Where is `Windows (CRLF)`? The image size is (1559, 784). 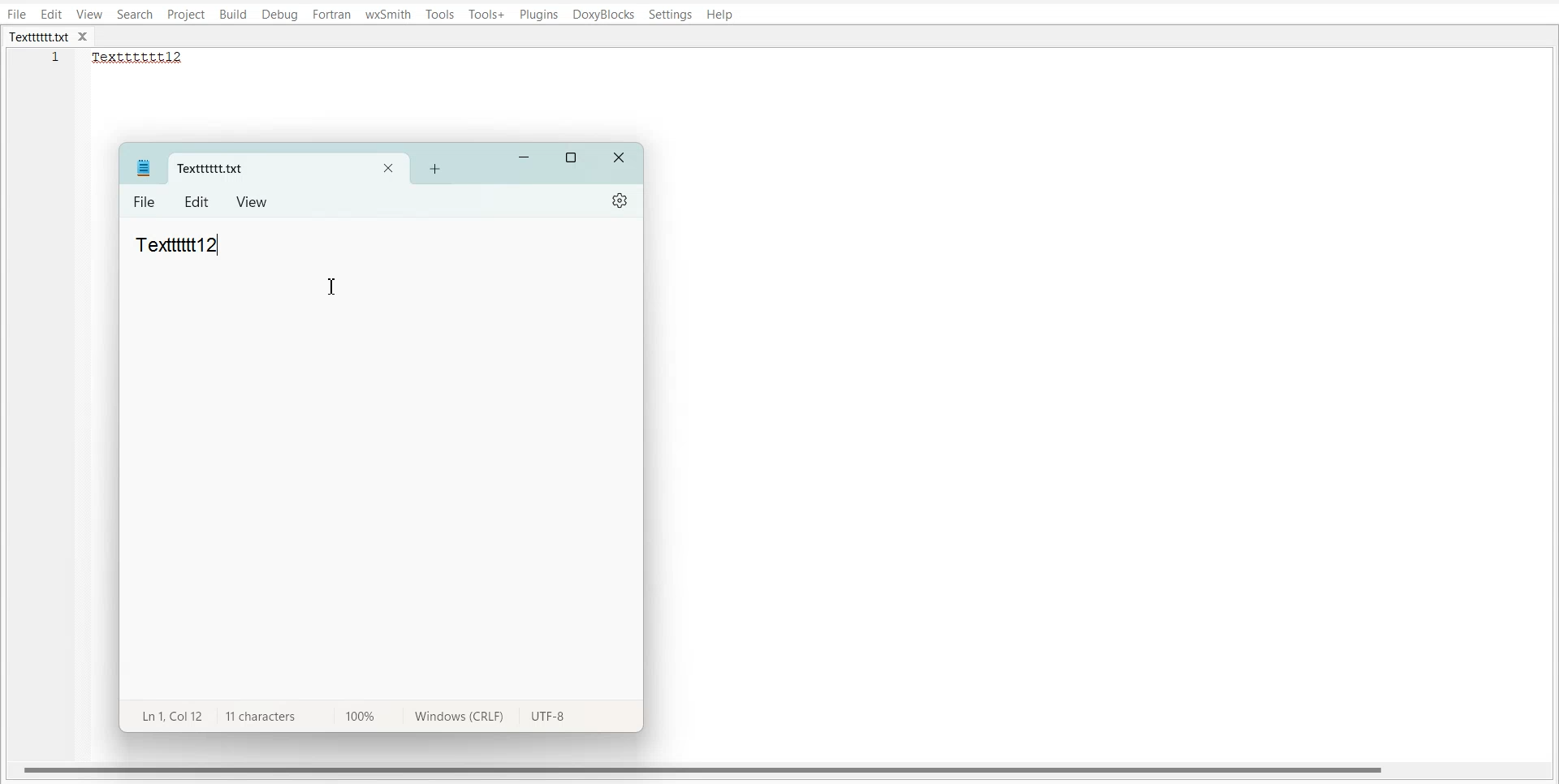
Windows (CRLF) is located at coordinates (456, 719).